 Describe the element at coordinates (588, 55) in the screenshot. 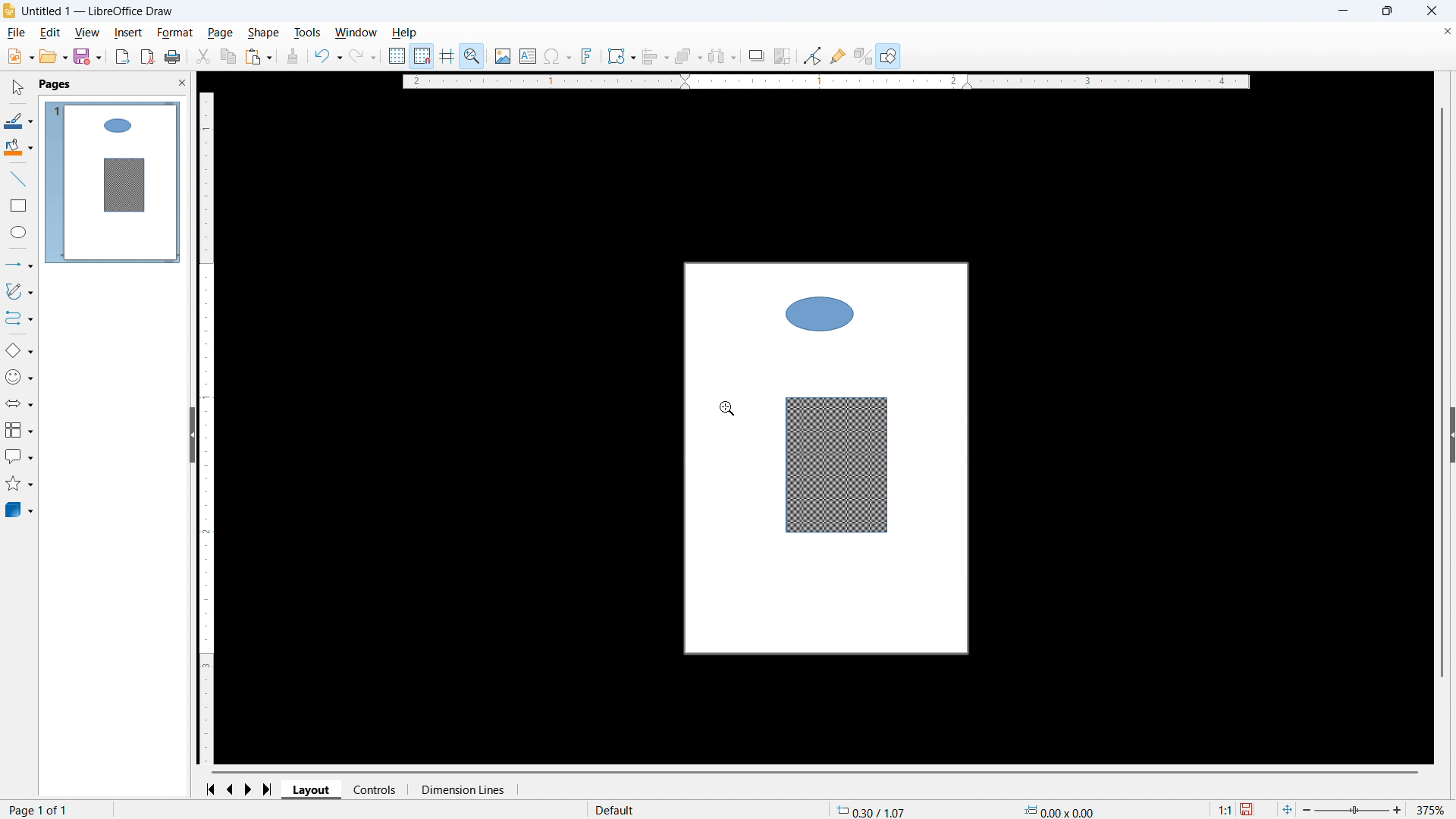

I see `Insert font work text ` at that location.